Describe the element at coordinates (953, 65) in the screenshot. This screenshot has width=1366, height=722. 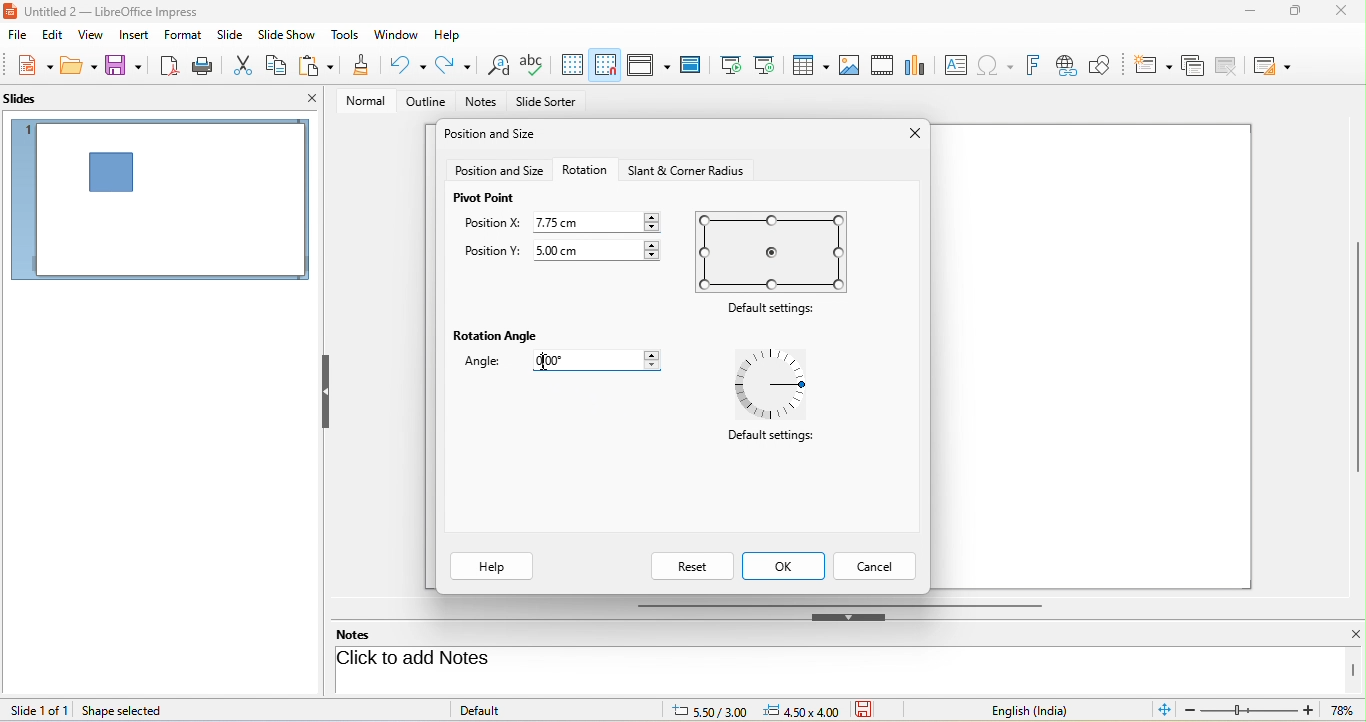
I see `text box` at that location.